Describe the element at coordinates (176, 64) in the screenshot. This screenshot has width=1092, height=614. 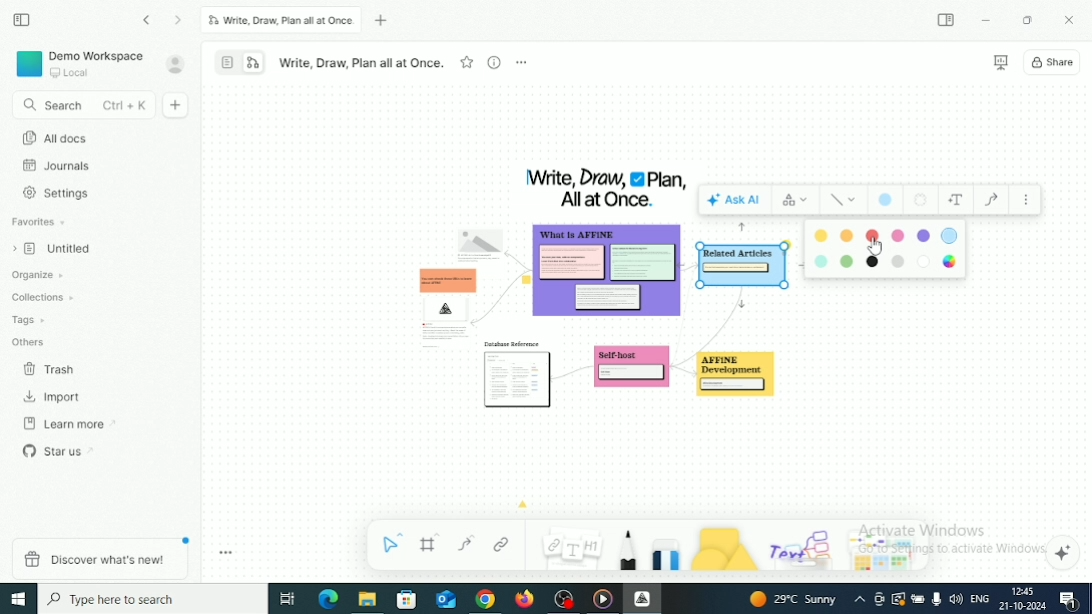
I see `Account` at that location.